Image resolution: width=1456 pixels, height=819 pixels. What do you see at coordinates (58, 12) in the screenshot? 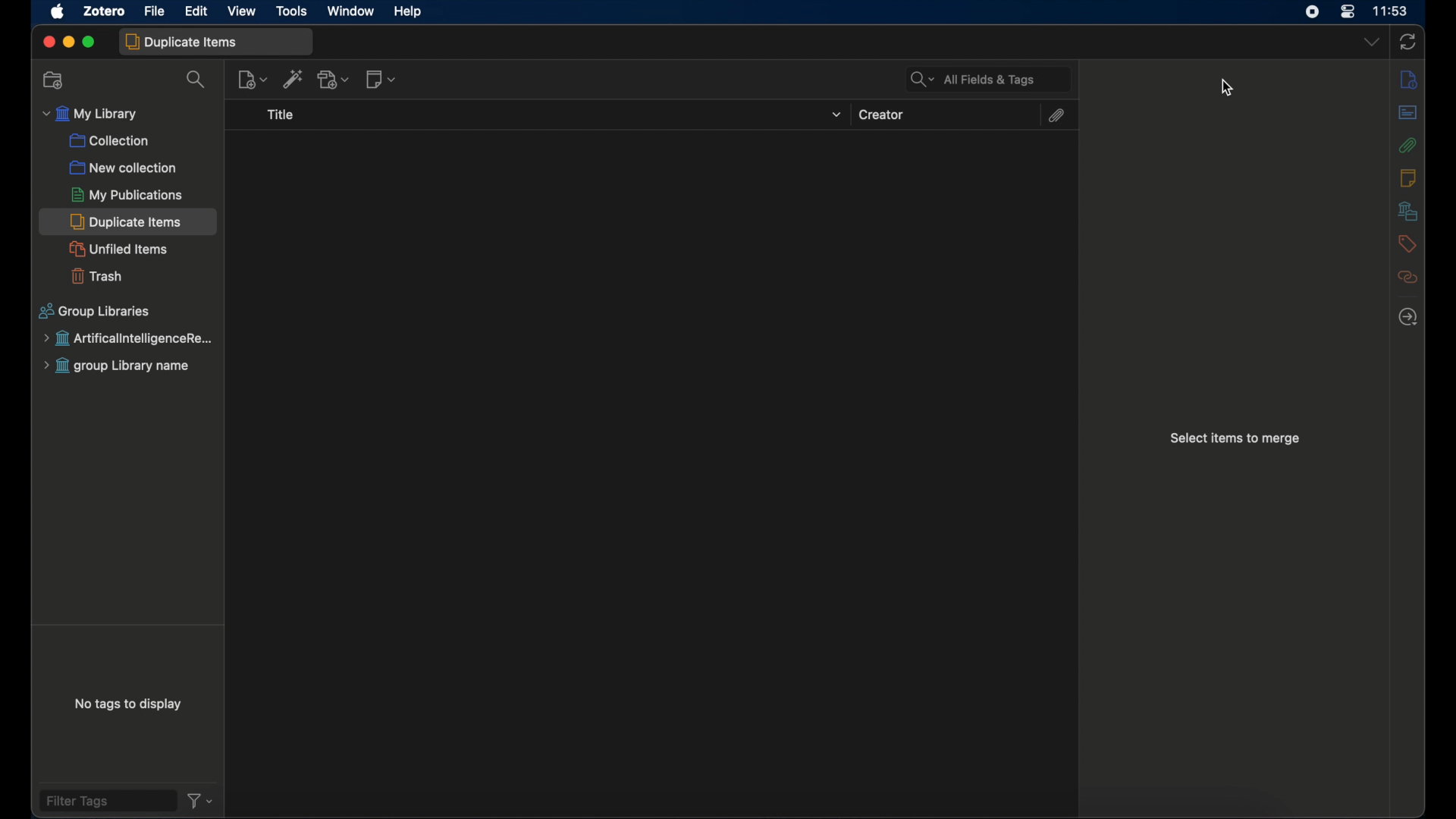
I see `apple icon` at bounding box center [58, 12].